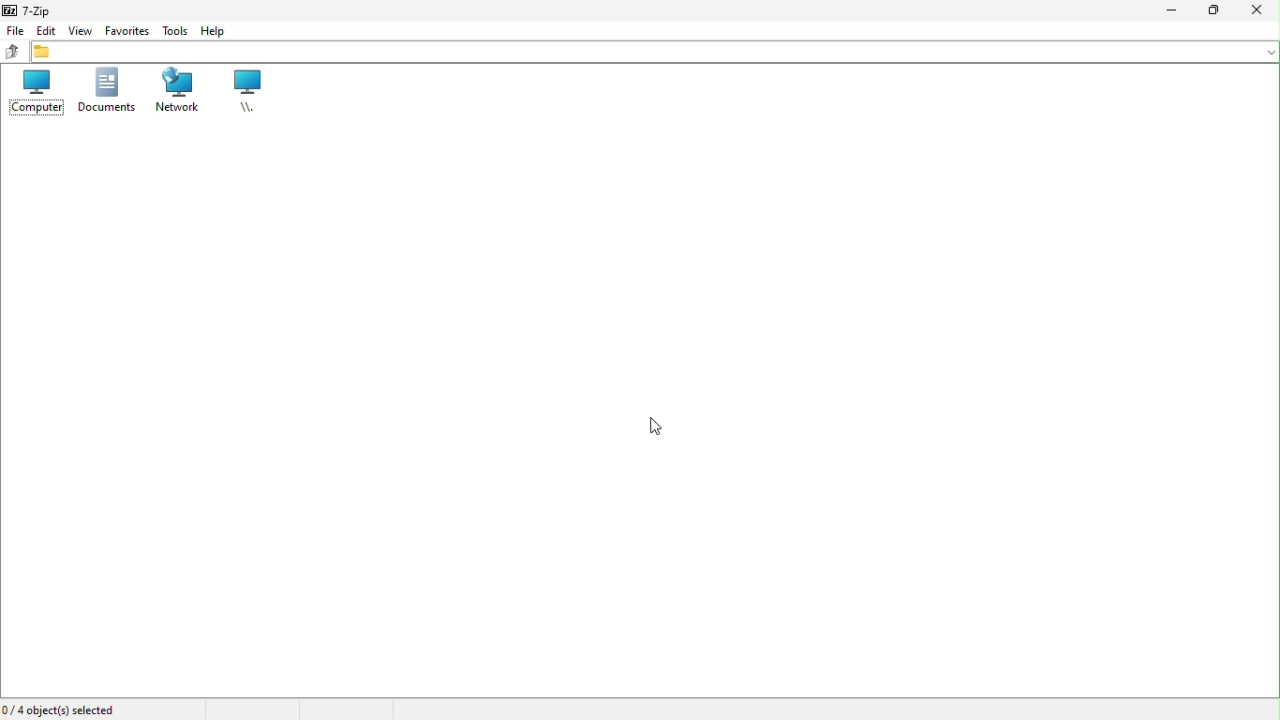 The height and width of the screenshot is (720, 1280). Describe the element at coordinates (173, 30) in the screenshot. I see `Tools` at that location.